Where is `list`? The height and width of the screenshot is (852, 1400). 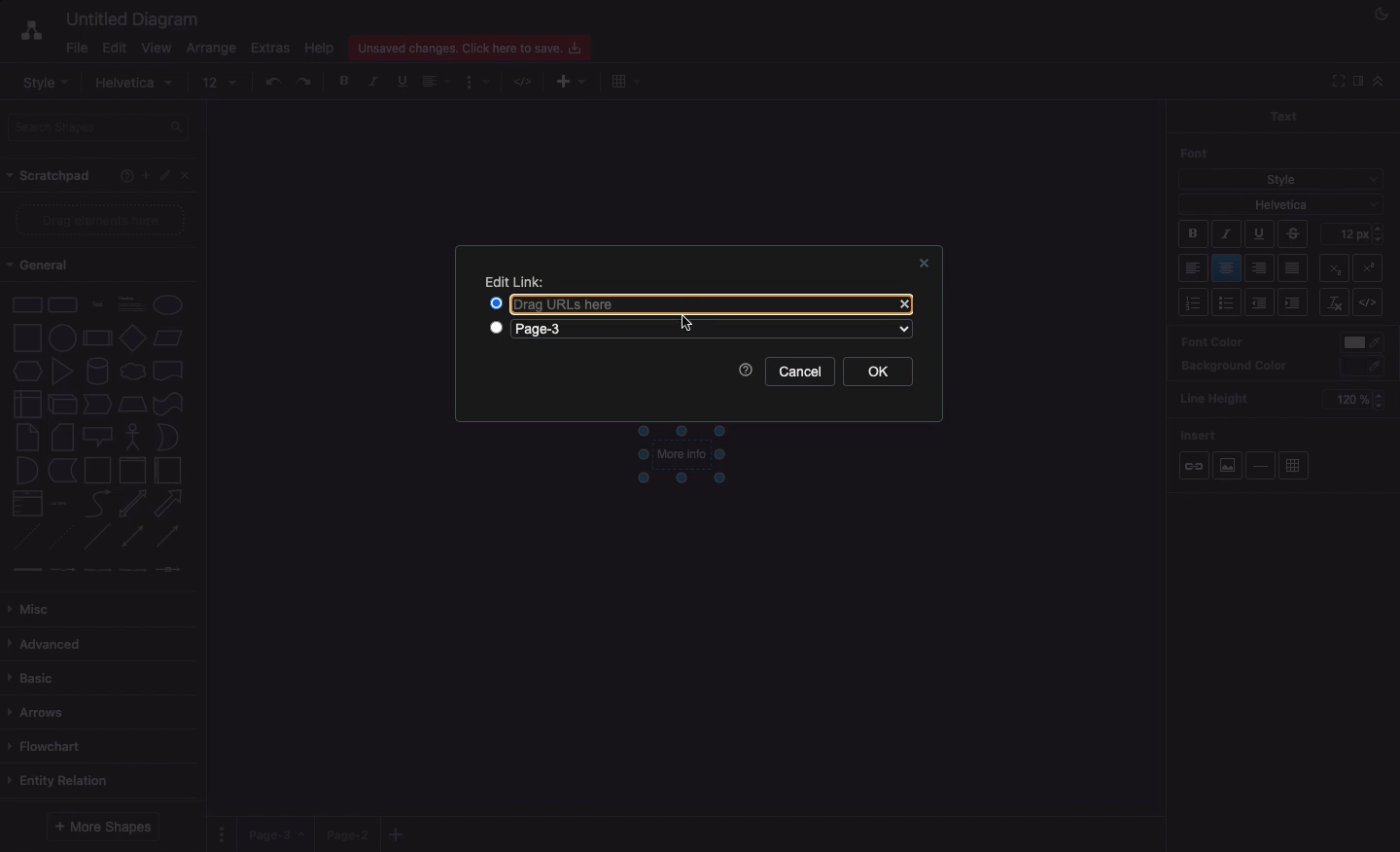 list is located at coordinates (28, 503).